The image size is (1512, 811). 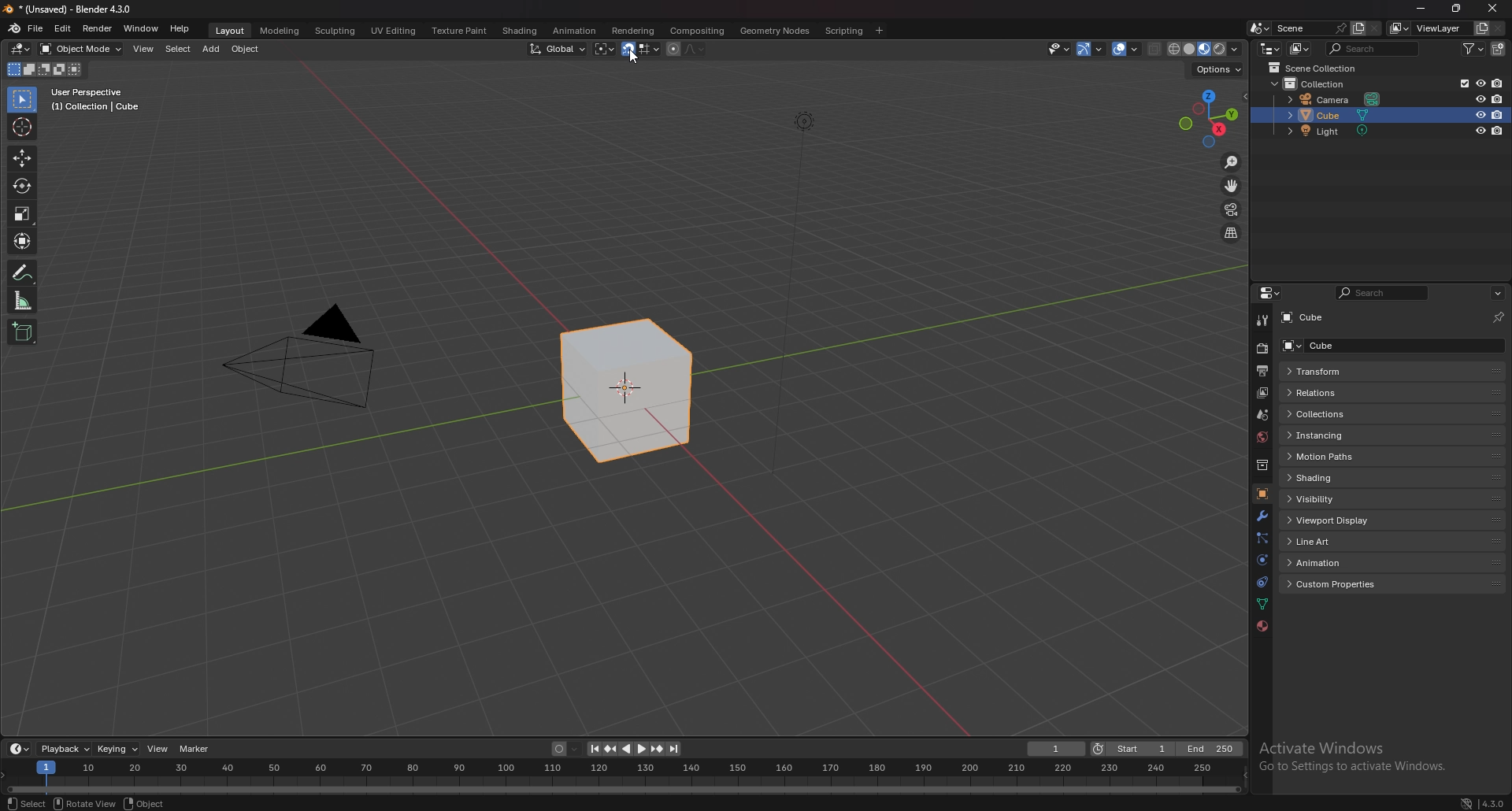 I want to click on keying, so click(x=117, y=749).